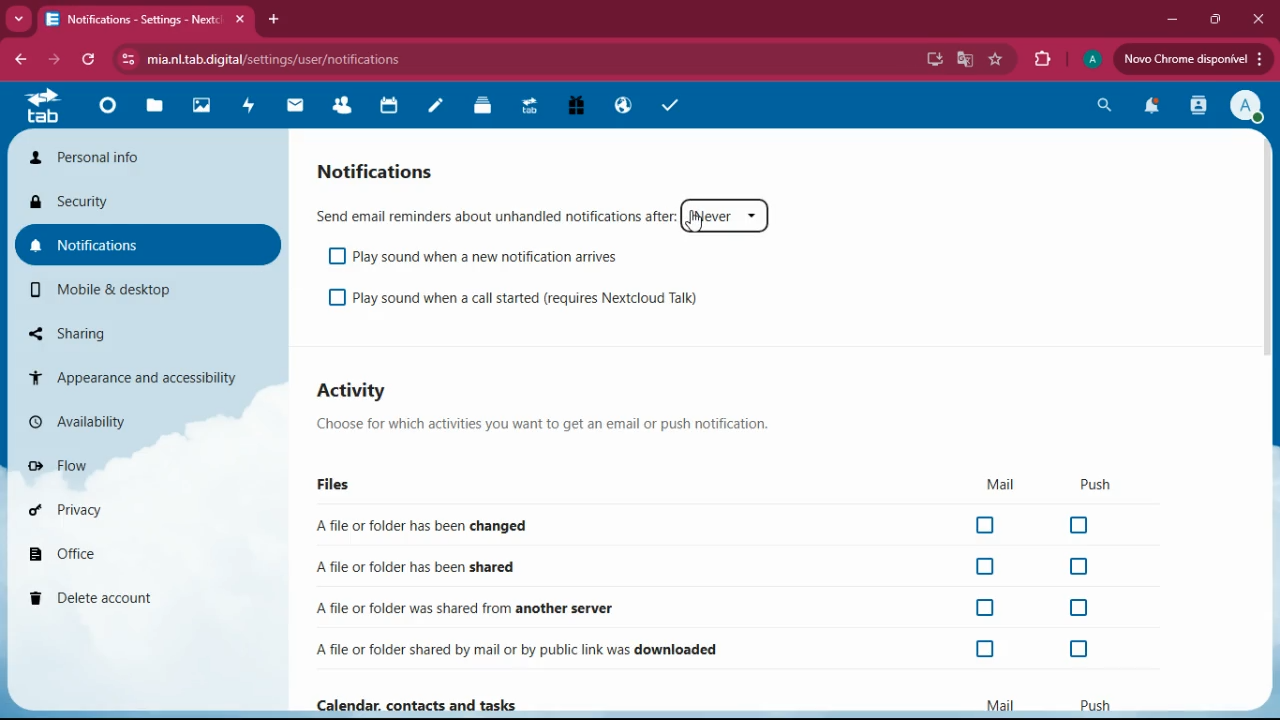 The image size is (1280, 720). I want to click on files, so click(484, 108).